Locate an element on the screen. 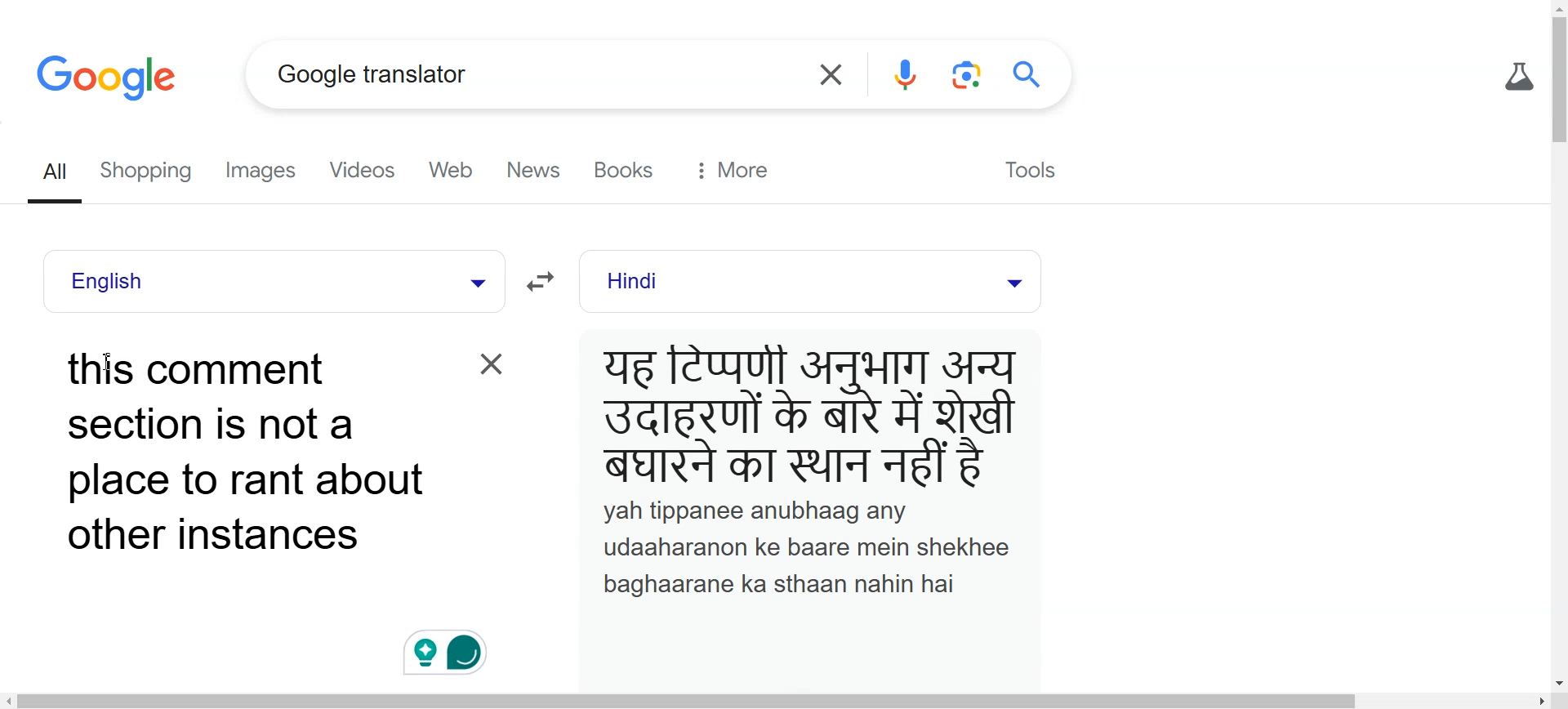 This screenshot has height=709, width=1568. Videos is located at coordinates (366, 172).